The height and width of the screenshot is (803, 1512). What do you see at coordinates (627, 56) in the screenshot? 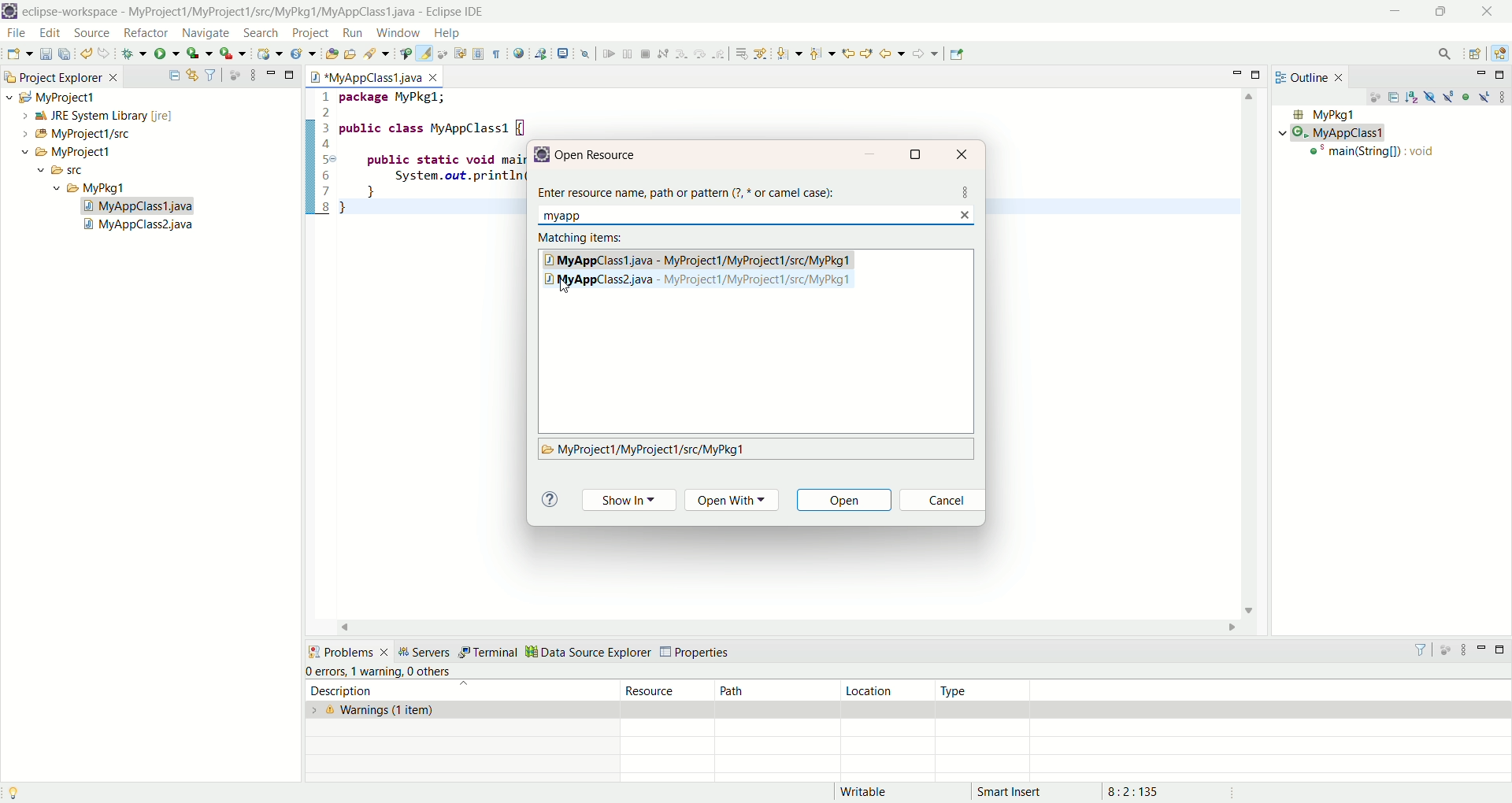
I see `suspend` at bounding box center [627, 56].